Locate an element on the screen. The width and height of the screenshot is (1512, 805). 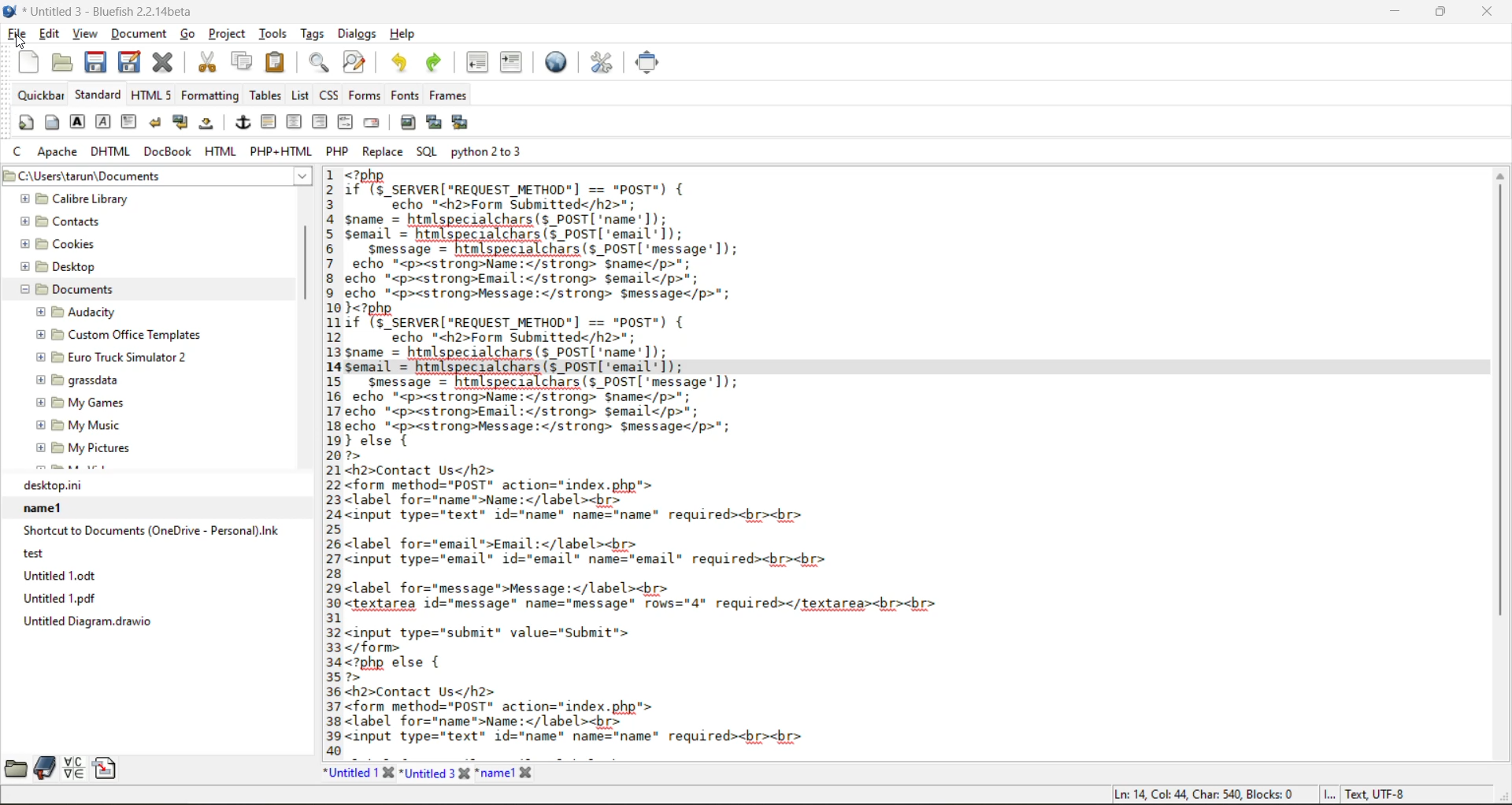
multi thumbnail is located at coordinates (458, 123).